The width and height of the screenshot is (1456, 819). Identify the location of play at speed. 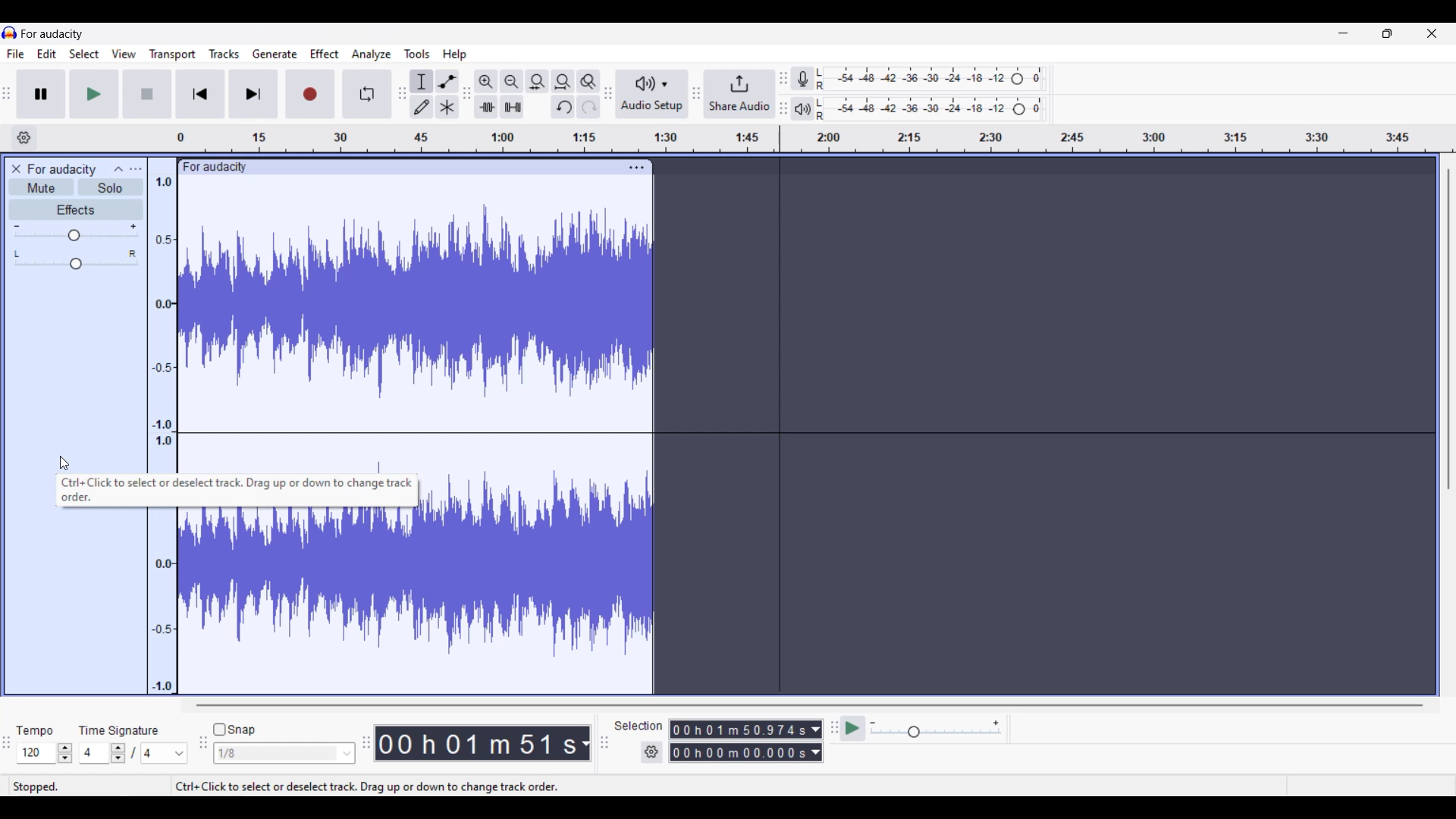
(853, 728).